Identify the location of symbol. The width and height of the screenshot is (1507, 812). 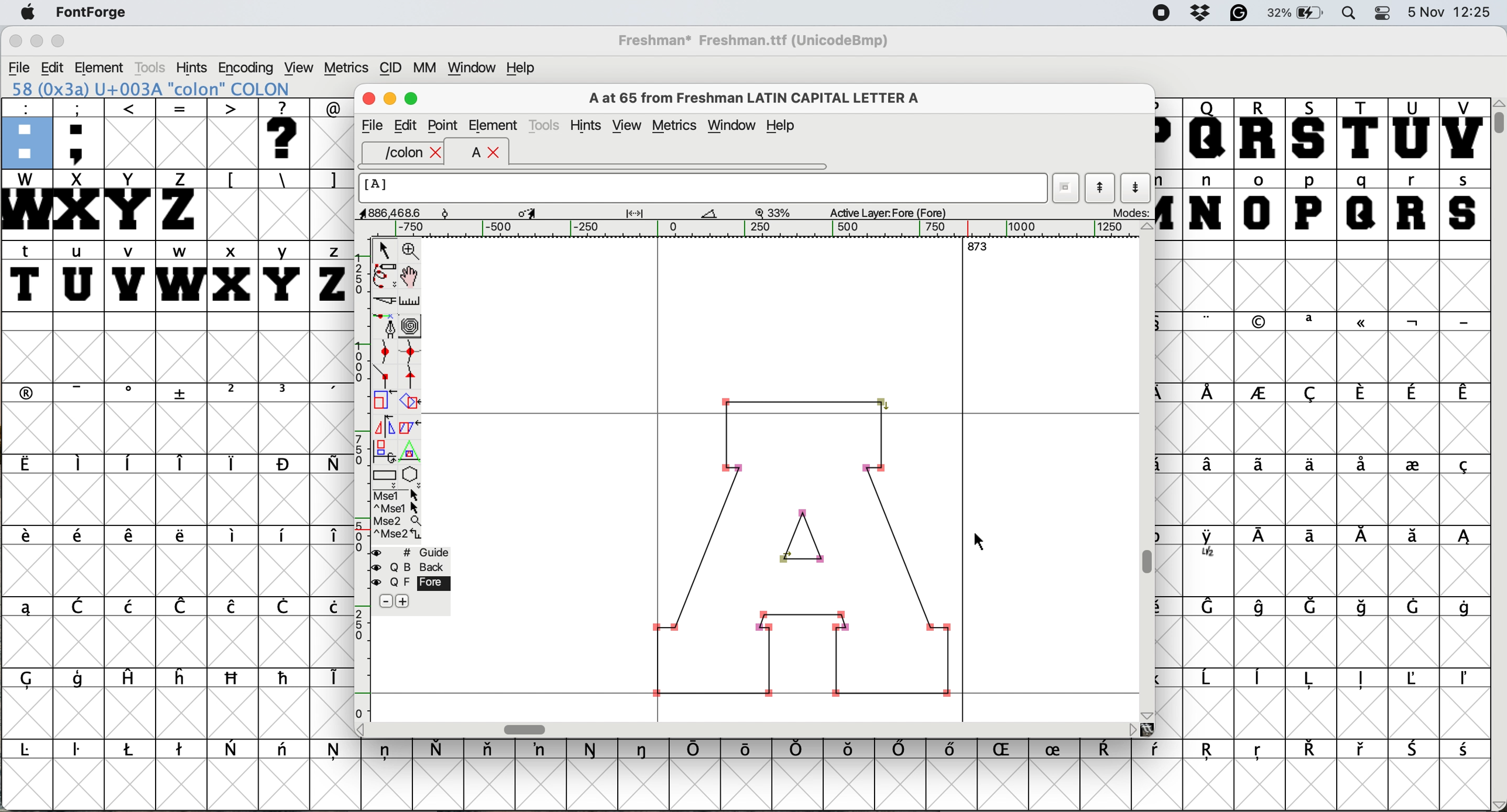
(441, 748).